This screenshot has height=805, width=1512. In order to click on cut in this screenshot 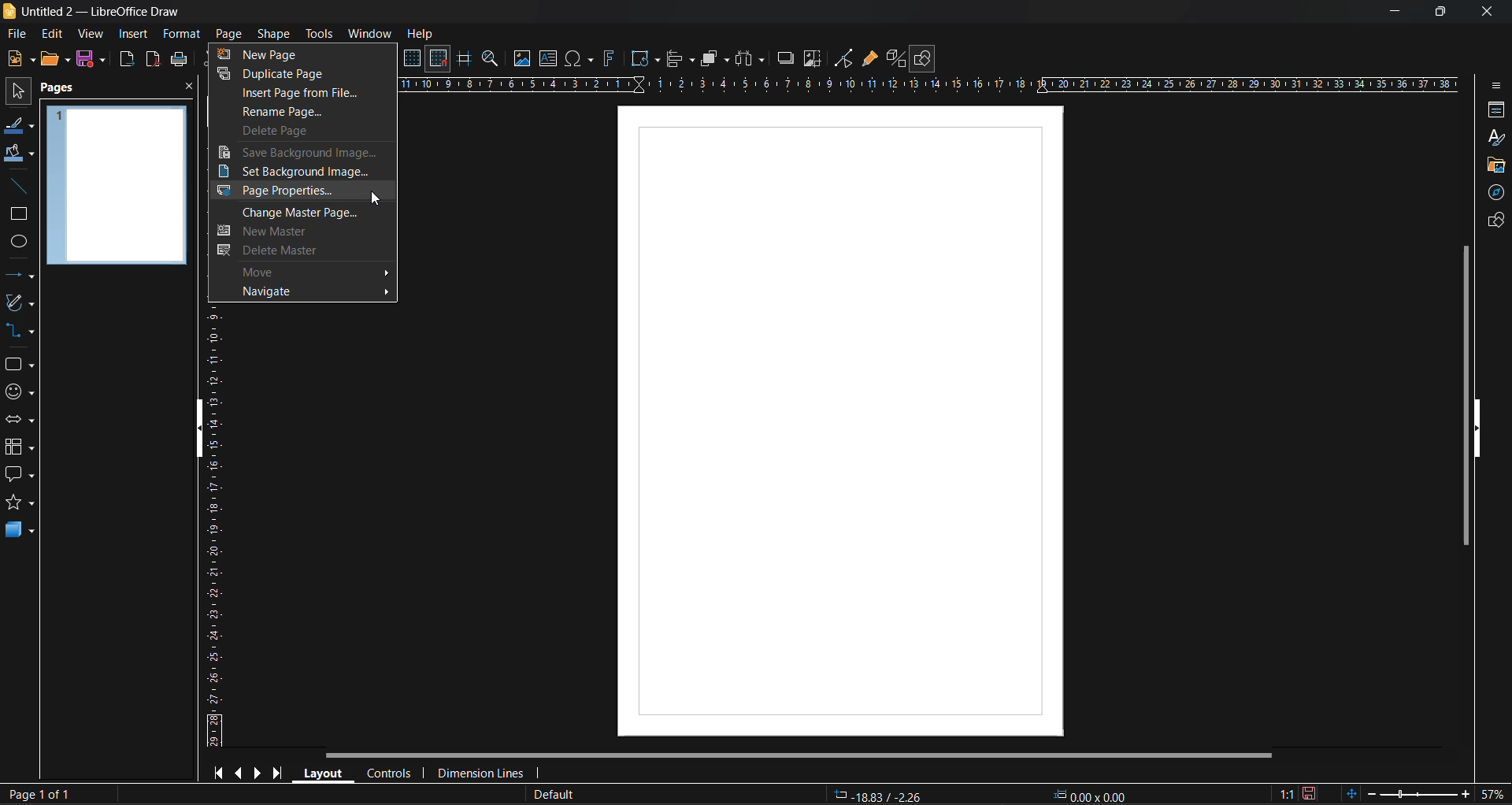, I will do `click(207, 60)`.